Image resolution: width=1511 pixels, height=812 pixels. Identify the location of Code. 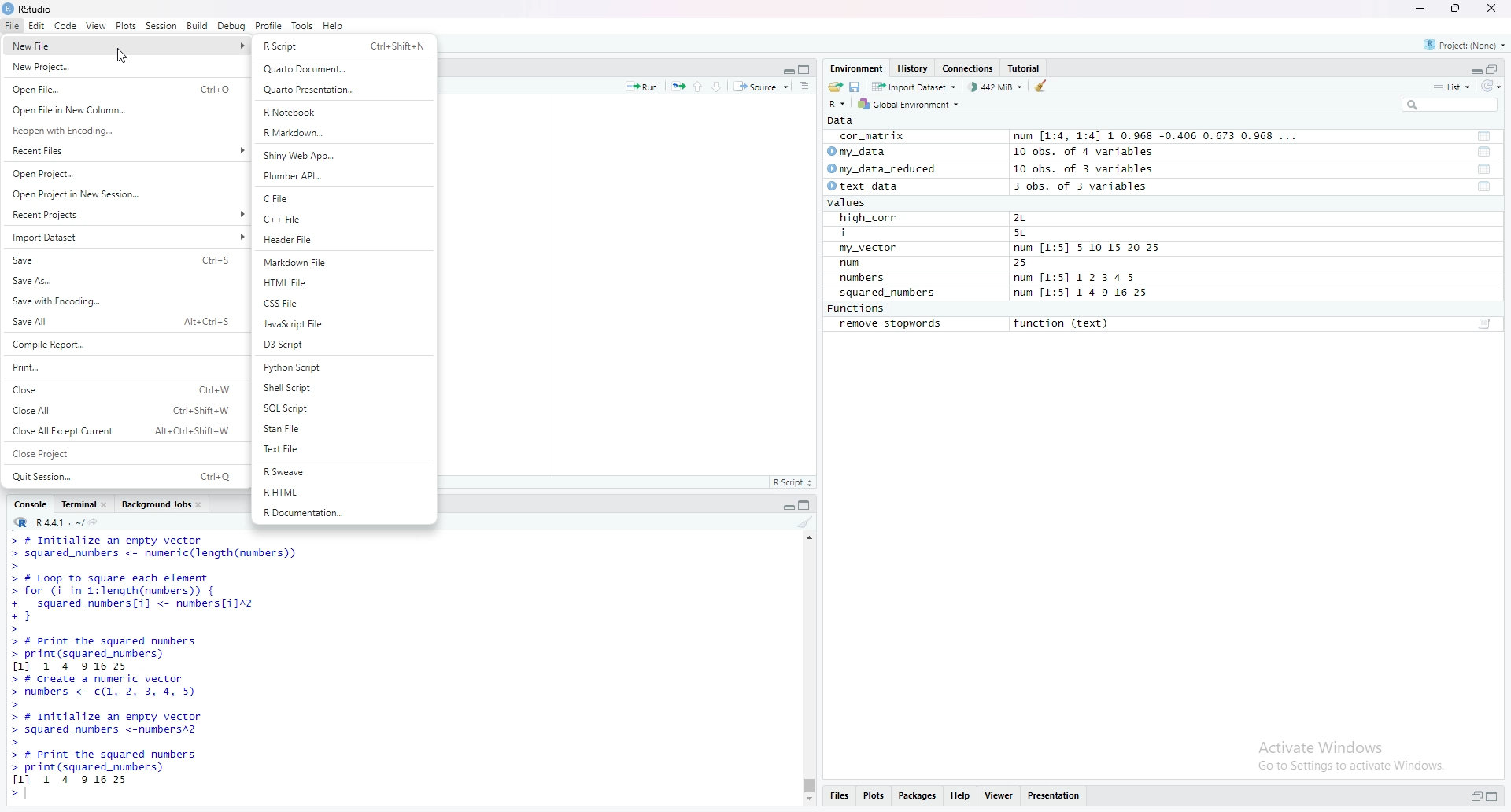
(65, 26).